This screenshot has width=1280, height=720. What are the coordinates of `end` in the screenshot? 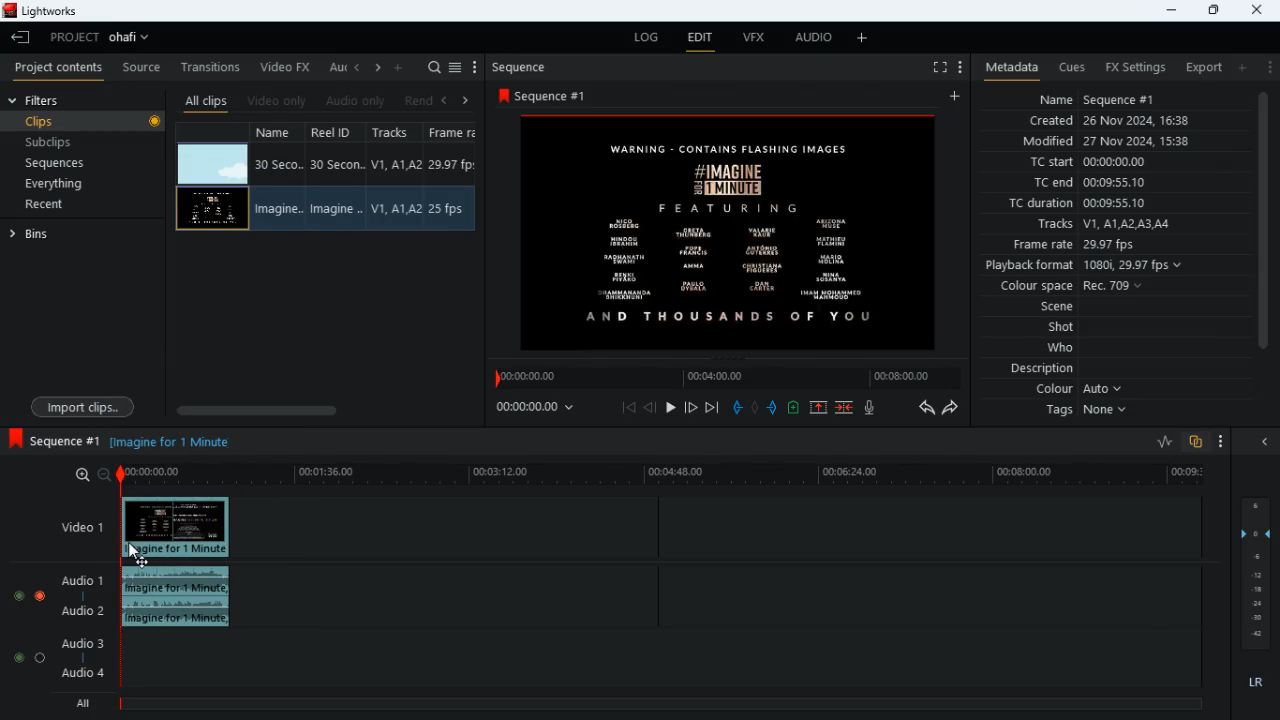 It's located at (714, 407).